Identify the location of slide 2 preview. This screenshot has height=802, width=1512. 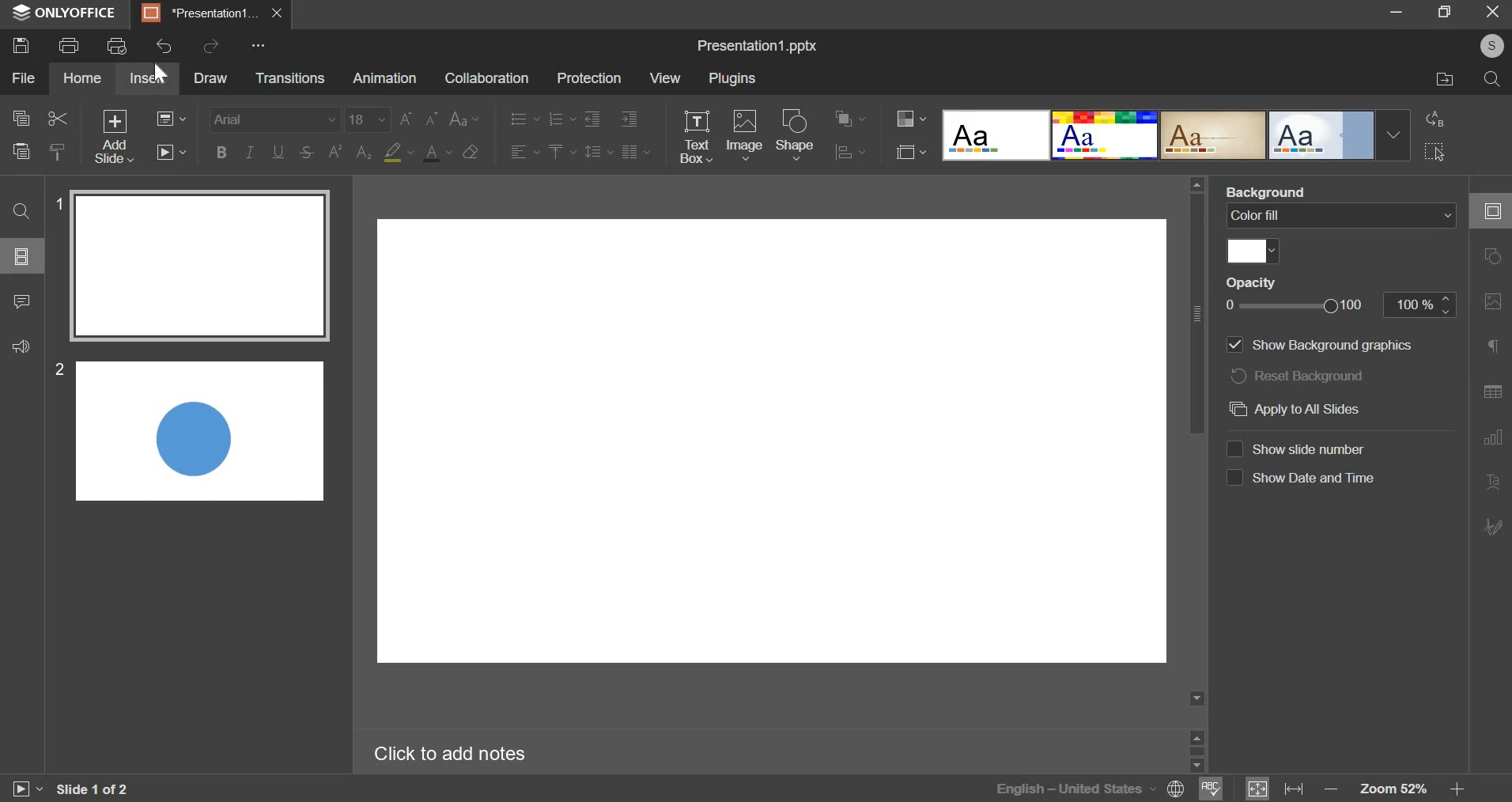
(199, 431).